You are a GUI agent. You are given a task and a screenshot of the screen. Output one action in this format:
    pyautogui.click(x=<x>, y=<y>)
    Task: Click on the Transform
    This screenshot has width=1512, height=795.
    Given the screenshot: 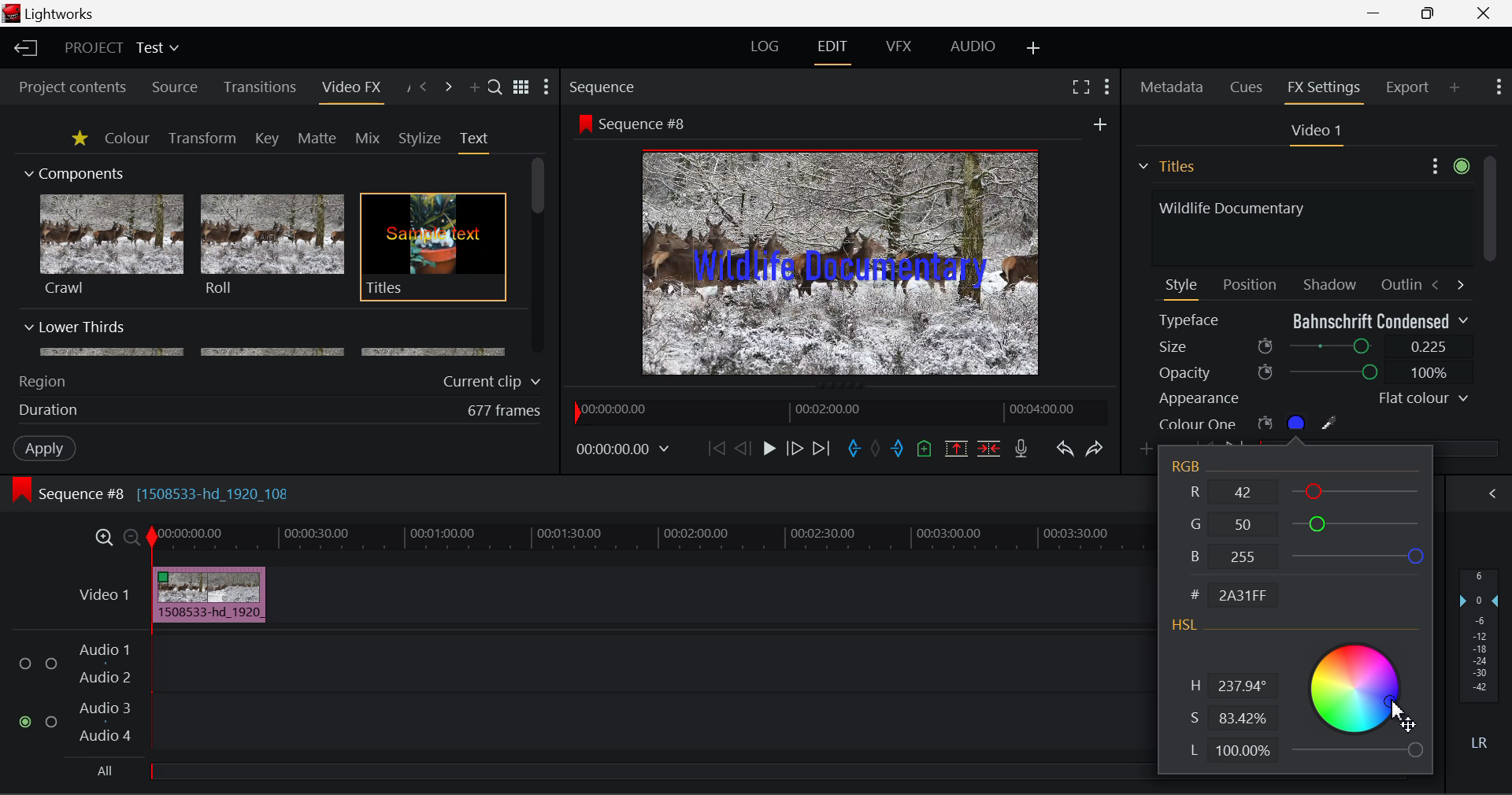 What is the action you would take?
    pyautogui.click(x=204, y=139)
    